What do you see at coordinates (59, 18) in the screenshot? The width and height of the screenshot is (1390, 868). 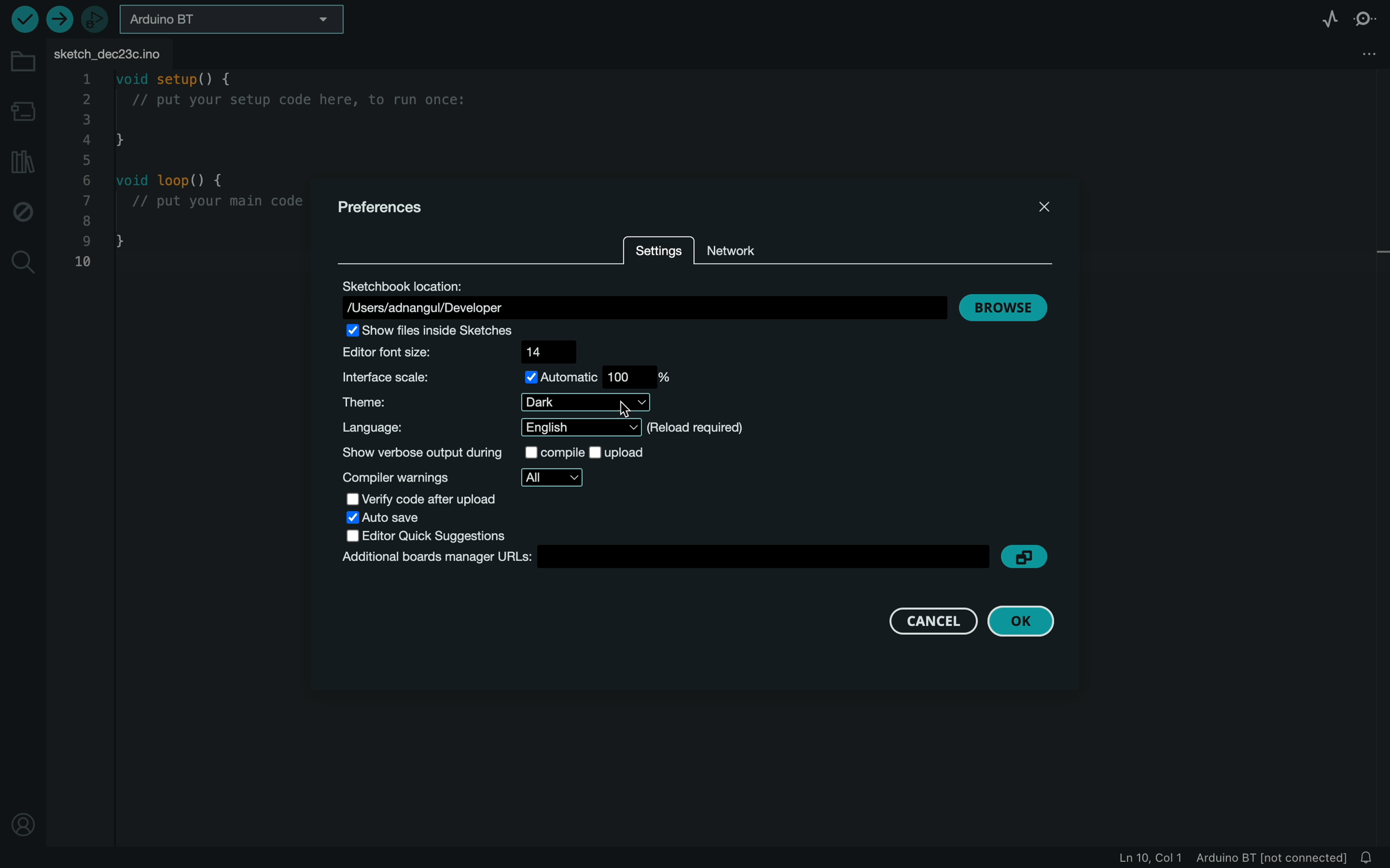 I see `upload` at bounding box center [59, 18].